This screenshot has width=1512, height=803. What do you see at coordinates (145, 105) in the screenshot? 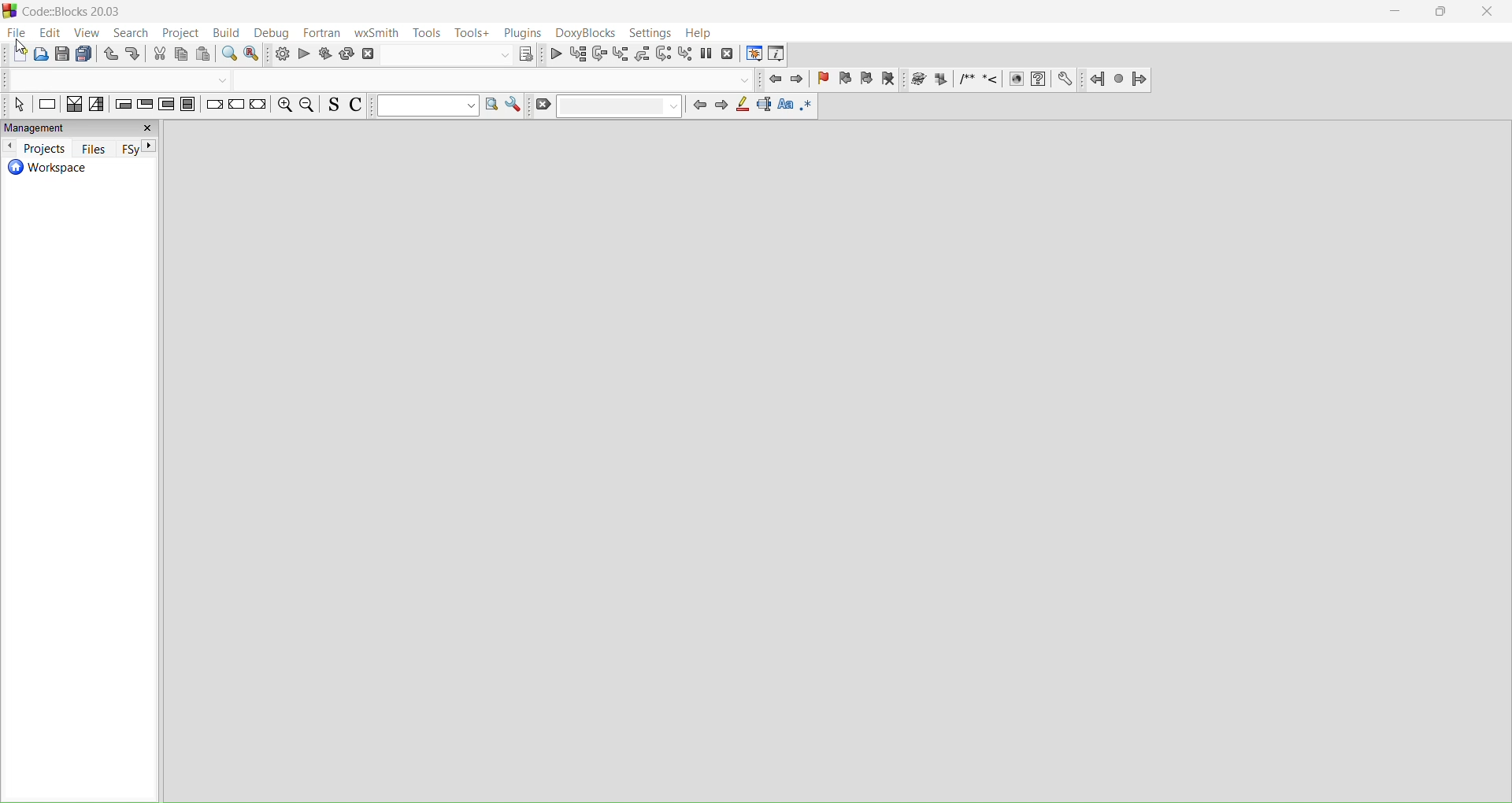
I see `exist condition loop` at bounding box center [145, 105].